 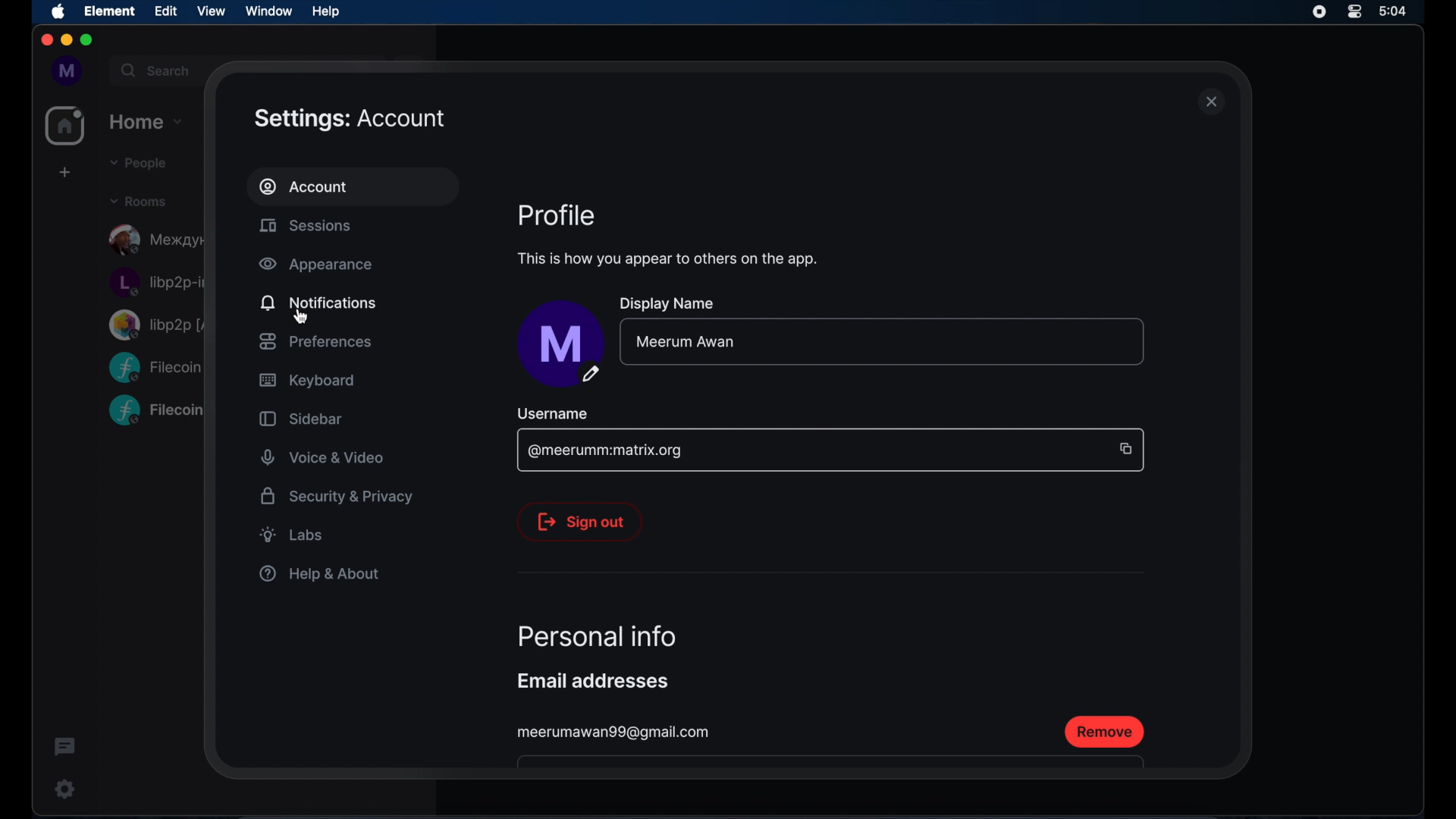 What do you see at coordinates (337, 496) in the screenshot?
I see `security and privacy` at bounding box center [337, 496].